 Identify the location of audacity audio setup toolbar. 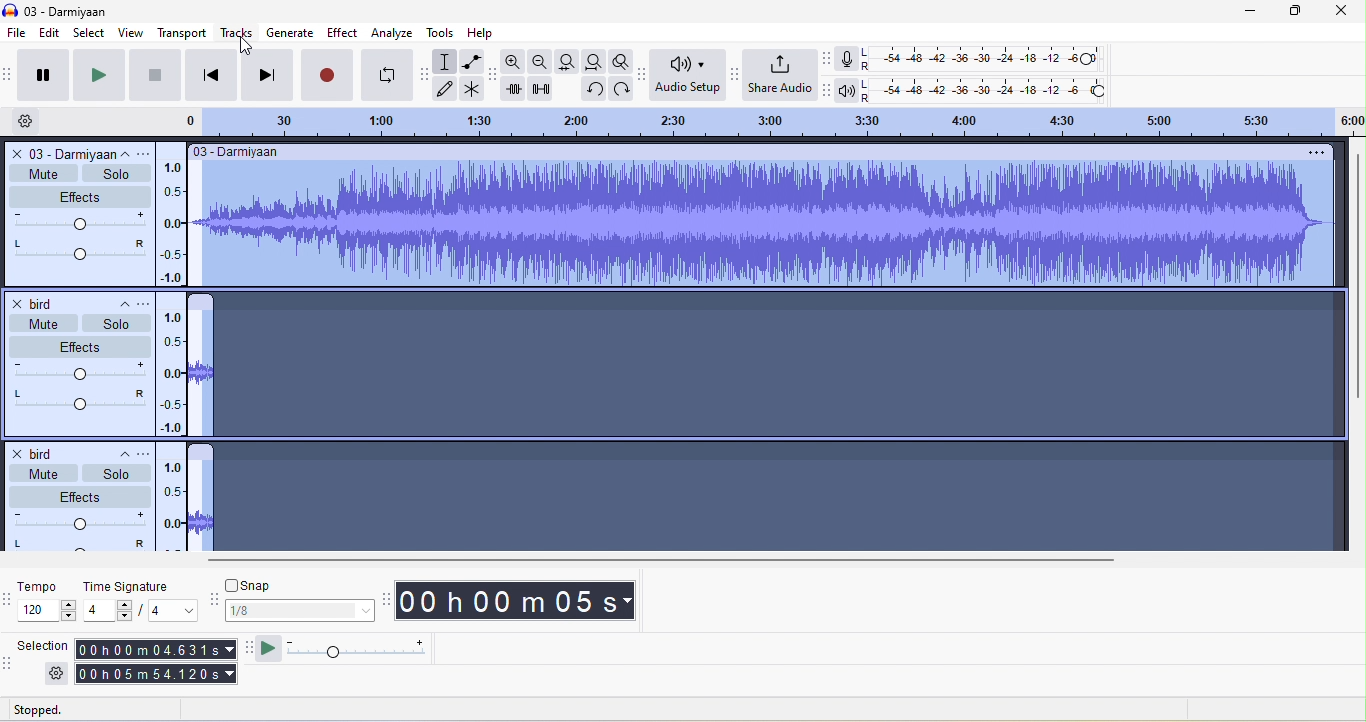
(645, 73).